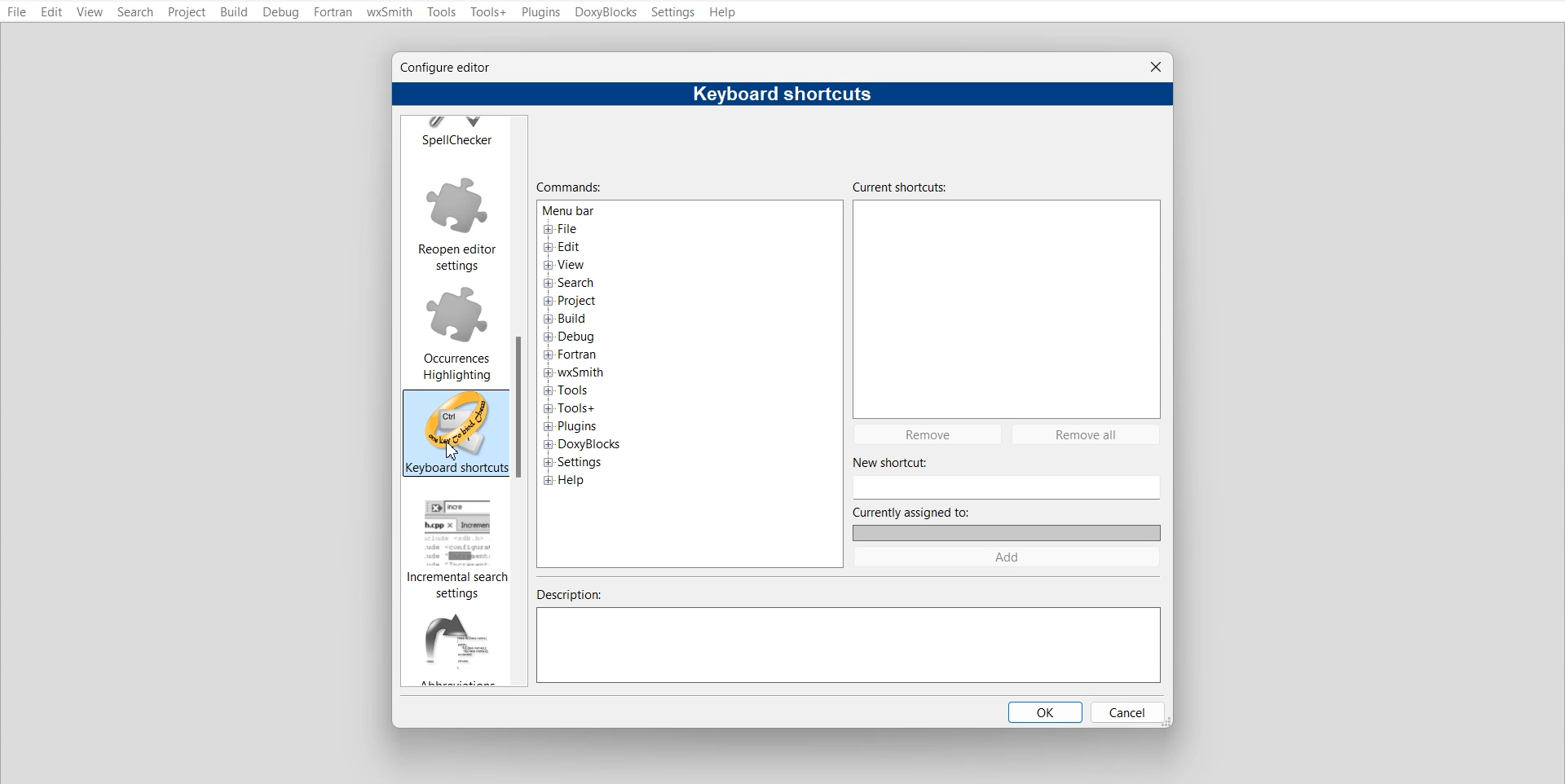 This screenshot has width=1565, height=784. I want to click on Incremental search settings, so click(457, 548).